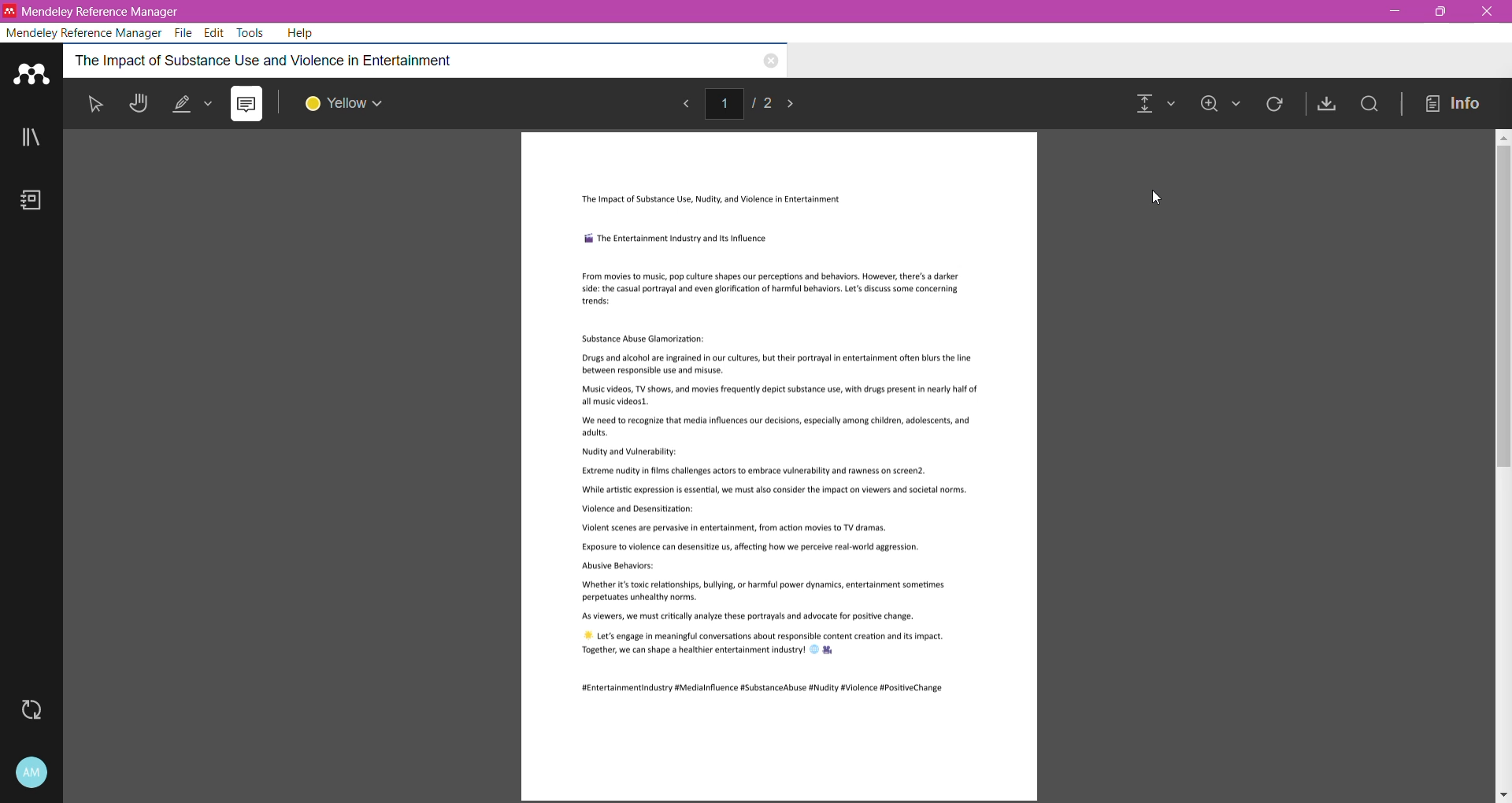 This screenshot has width=1512, height=803. I want to click on , so click(144, 104).